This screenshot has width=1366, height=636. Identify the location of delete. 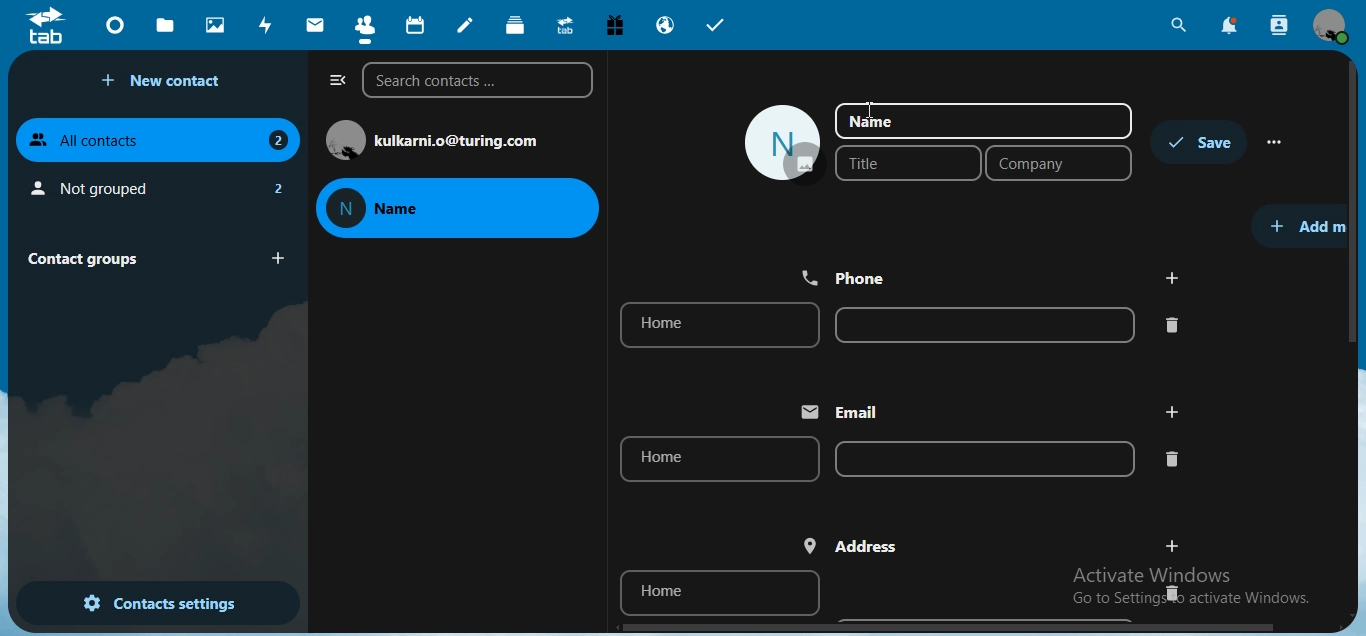
(1172, 459).